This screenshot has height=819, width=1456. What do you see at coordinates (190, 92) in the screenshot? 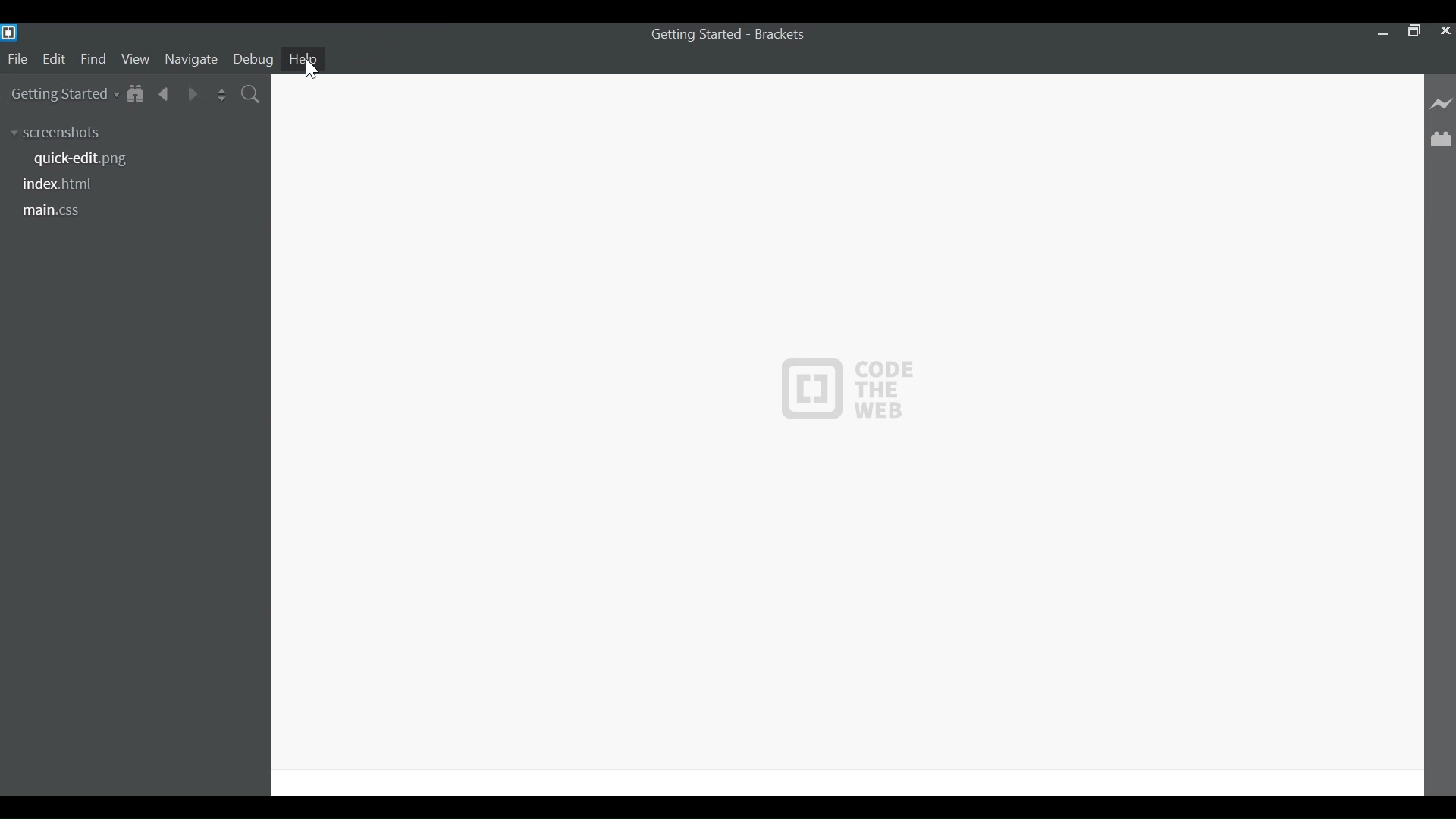
I see `Navigate Forward` at bounding box center [190, 92].